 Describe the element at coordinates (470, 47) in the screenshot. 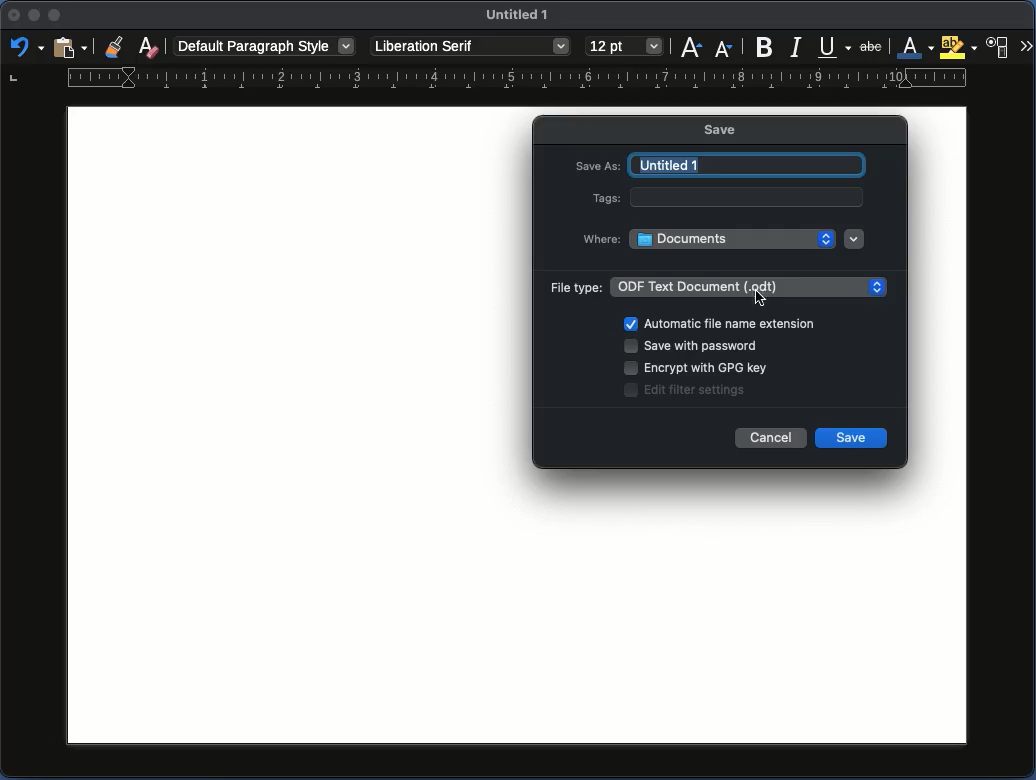

I see `Font style` at that location.